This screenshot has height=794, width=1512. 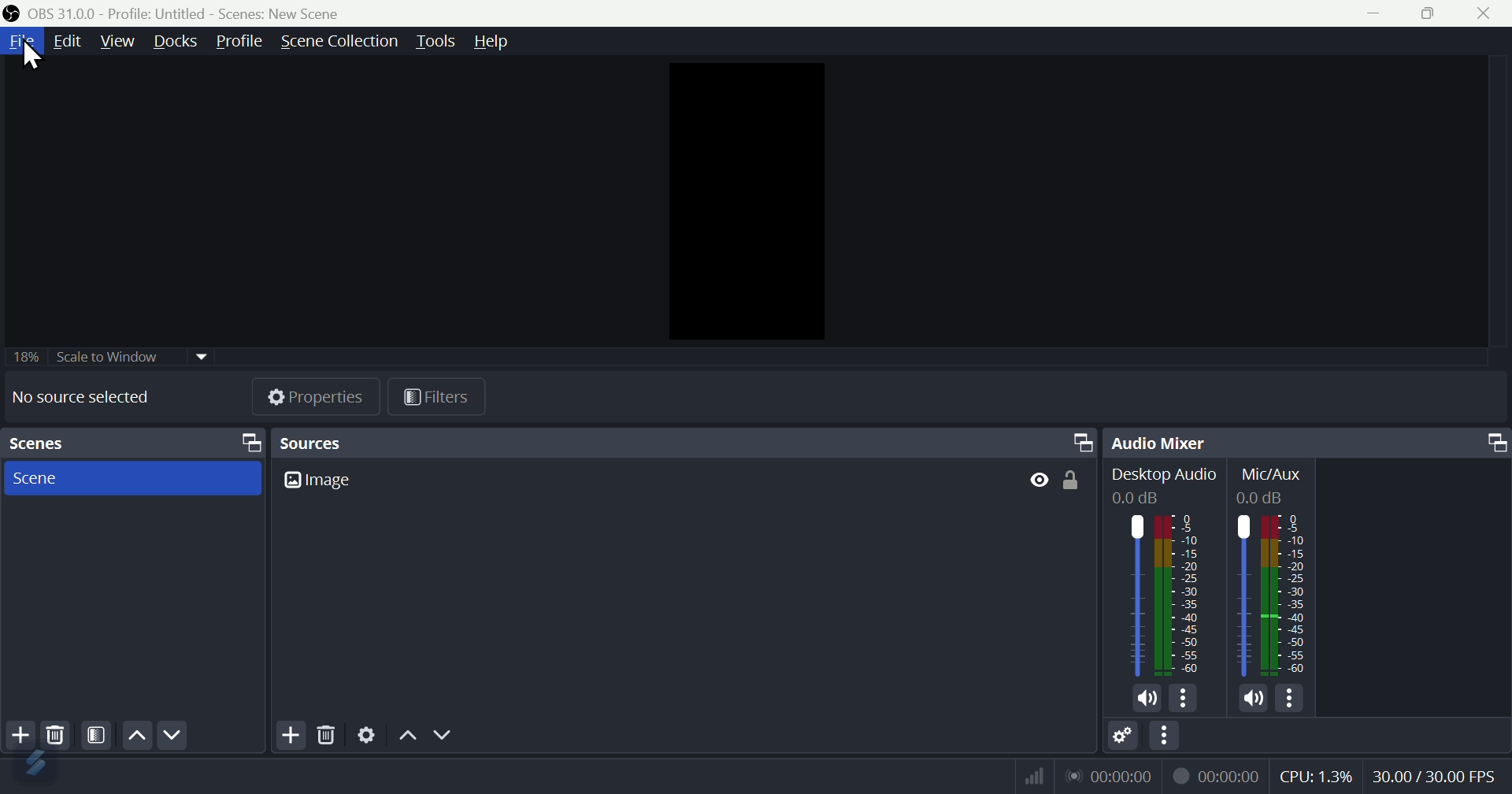 What do you see at coordinates (1165, 592) in the screenshot?
I see `Audio bar` at bounding box center [1165, 592].